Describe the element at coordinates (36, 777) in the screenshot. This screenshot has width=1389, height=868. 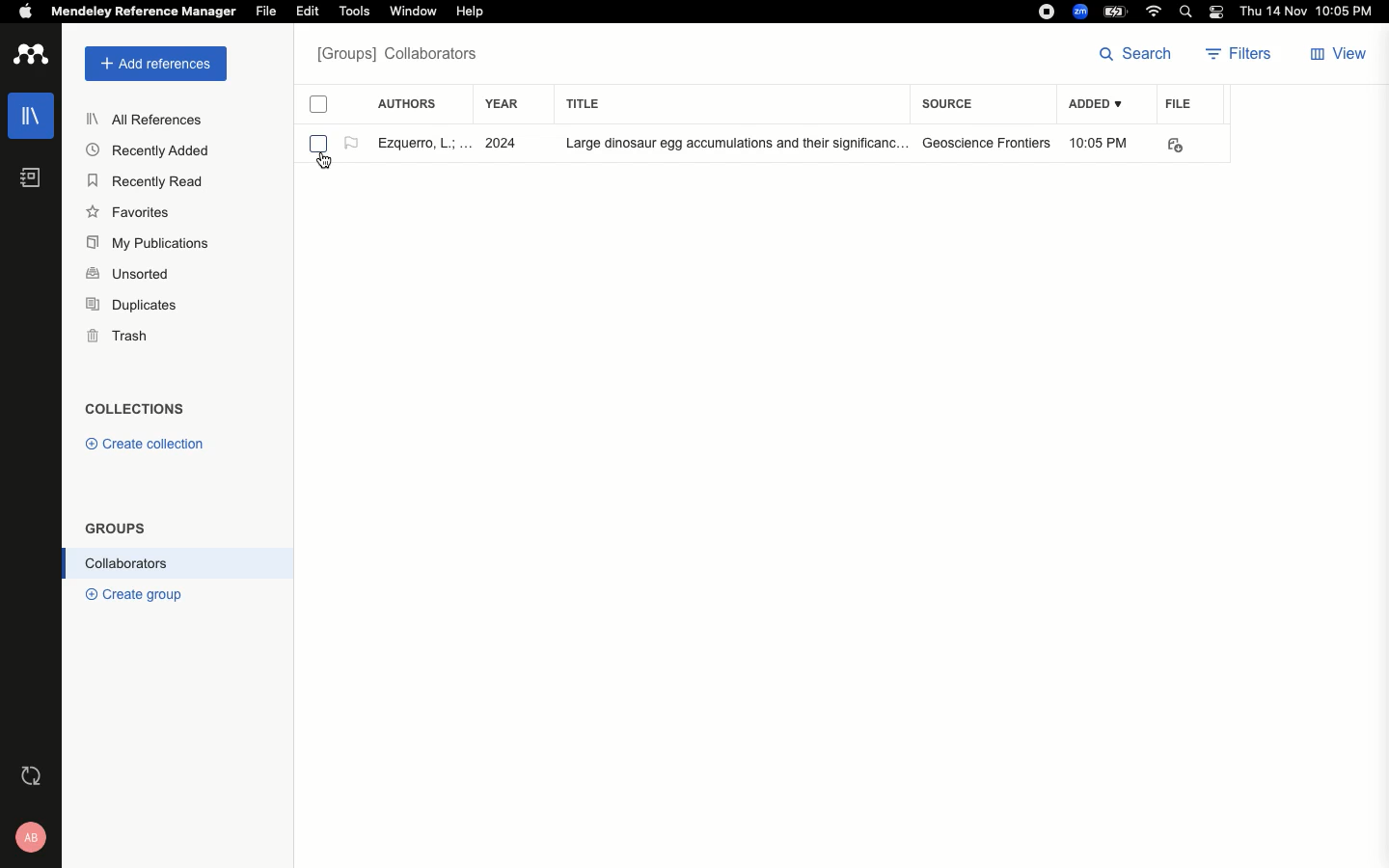
I see `Last sync` at that location.